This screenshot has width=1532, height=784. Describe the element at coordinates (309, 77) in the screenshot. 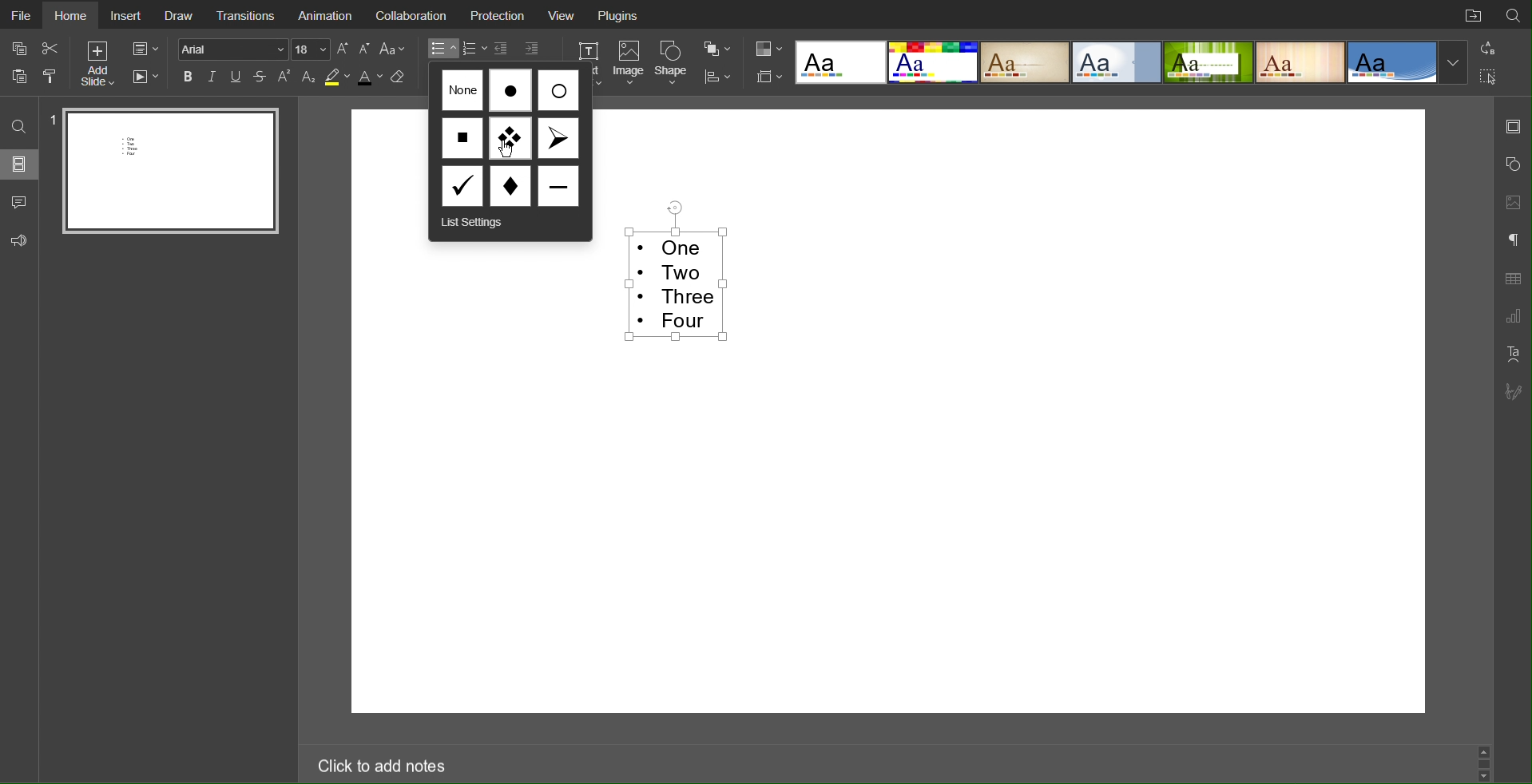

I see `Subscript` at that location.